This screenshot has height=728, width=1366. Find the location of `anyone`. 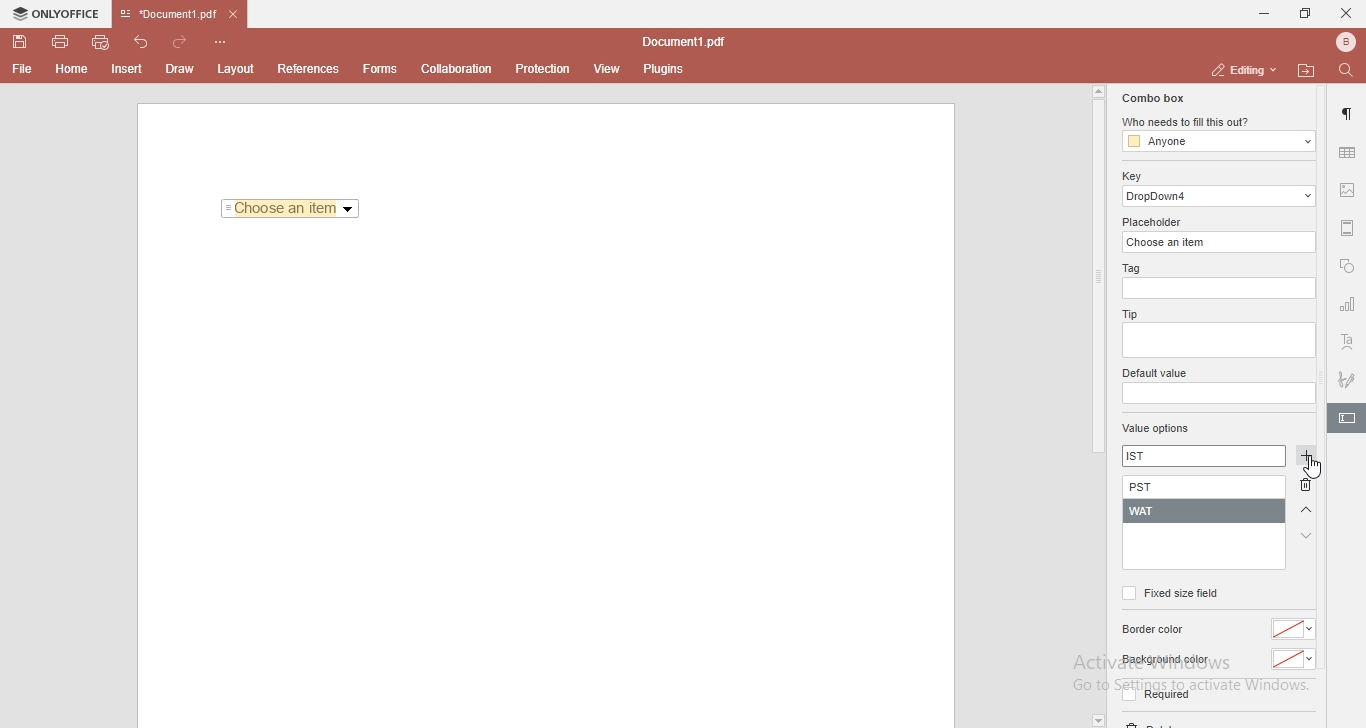

anyone is located at coordinates (1217, 142).